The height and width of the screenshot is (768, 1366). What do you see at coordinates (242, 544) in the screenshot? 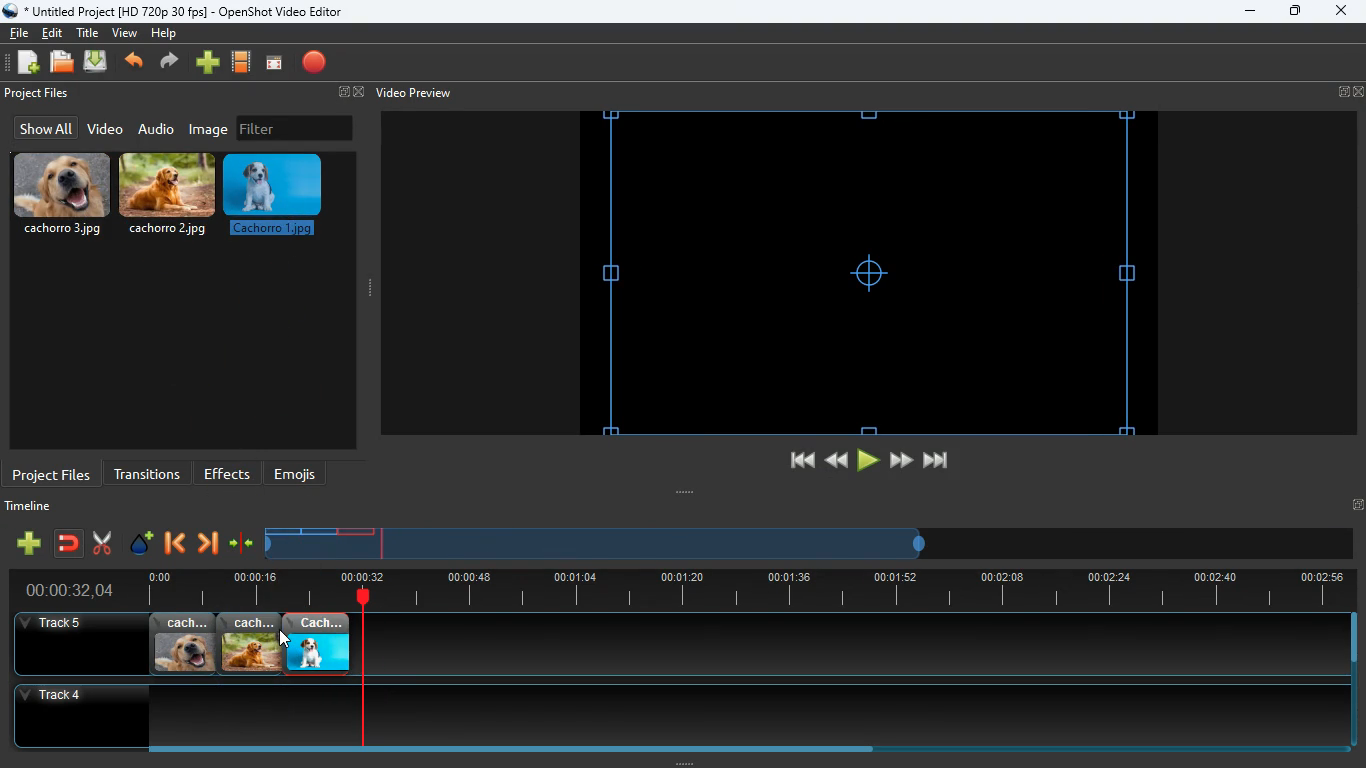
I see `compress` at bounding box center [242, 544].